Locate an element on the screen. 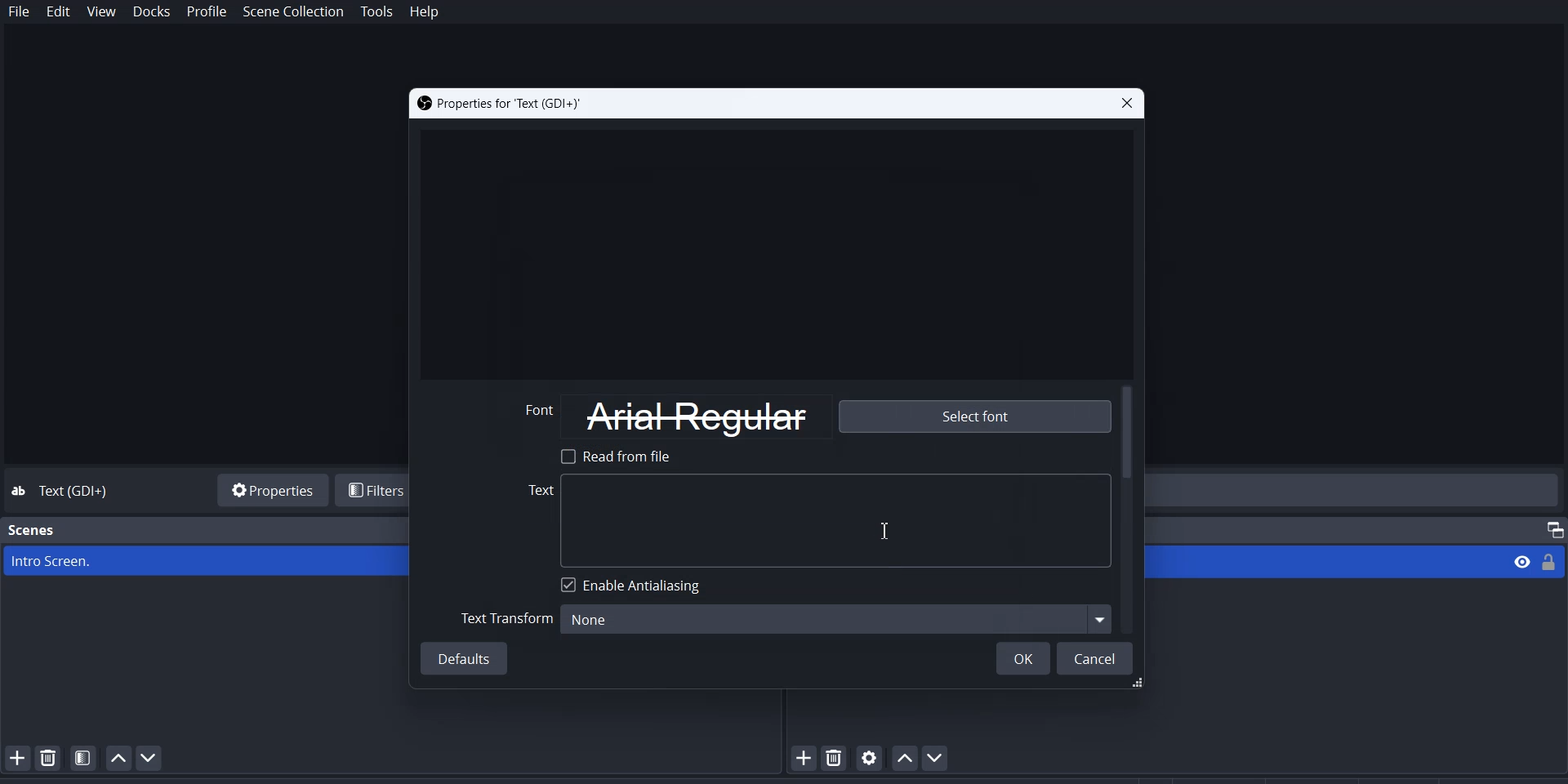 The image size is (1568, 784). Remove selected Source is located at coordinates (836, 757).